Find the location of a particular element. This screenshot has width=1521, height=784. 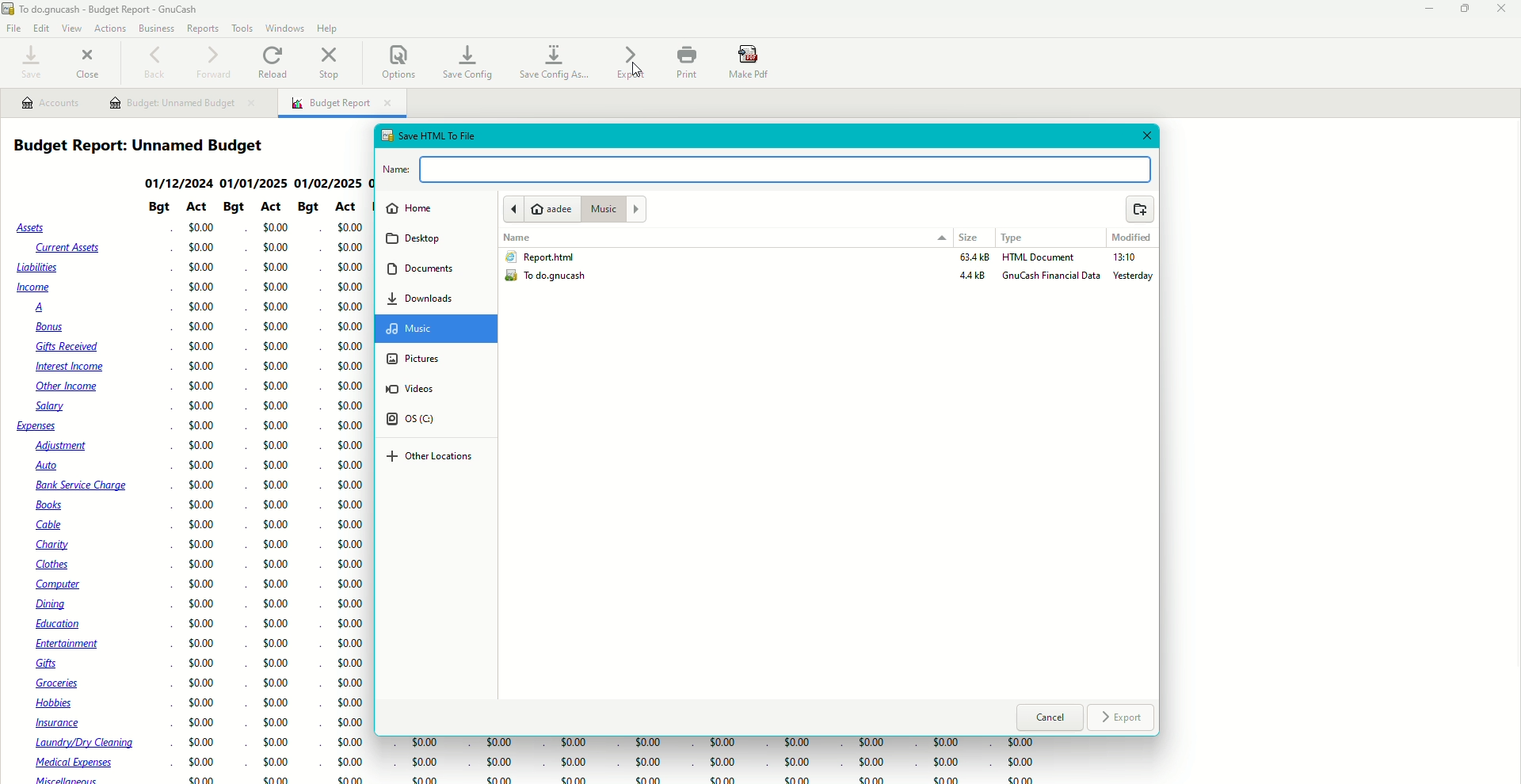

Parameters is located at coordinates (250, 208).